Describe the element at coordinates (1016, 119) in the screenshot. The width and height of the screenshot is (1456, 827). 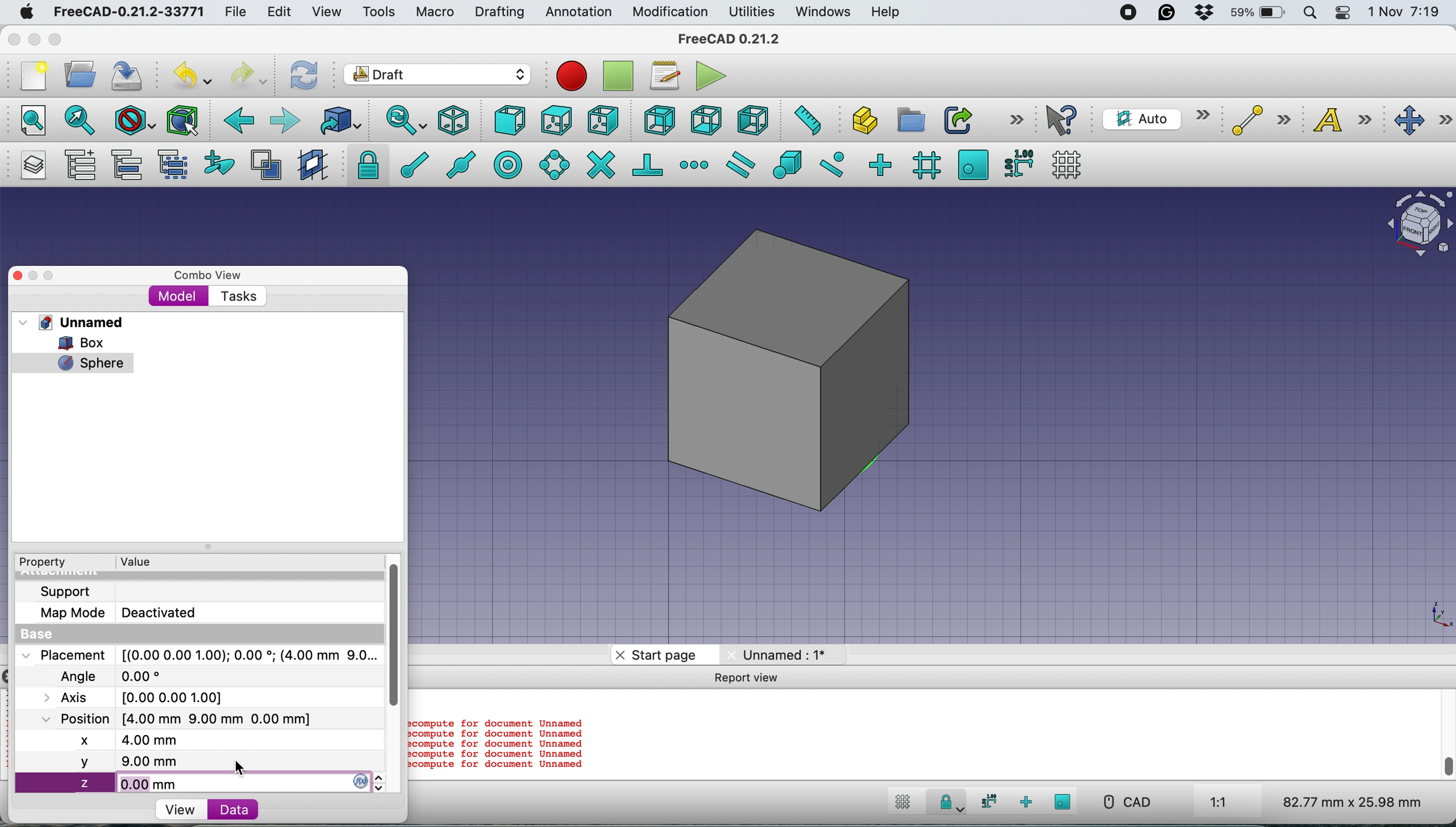
I see `more options` at that location.